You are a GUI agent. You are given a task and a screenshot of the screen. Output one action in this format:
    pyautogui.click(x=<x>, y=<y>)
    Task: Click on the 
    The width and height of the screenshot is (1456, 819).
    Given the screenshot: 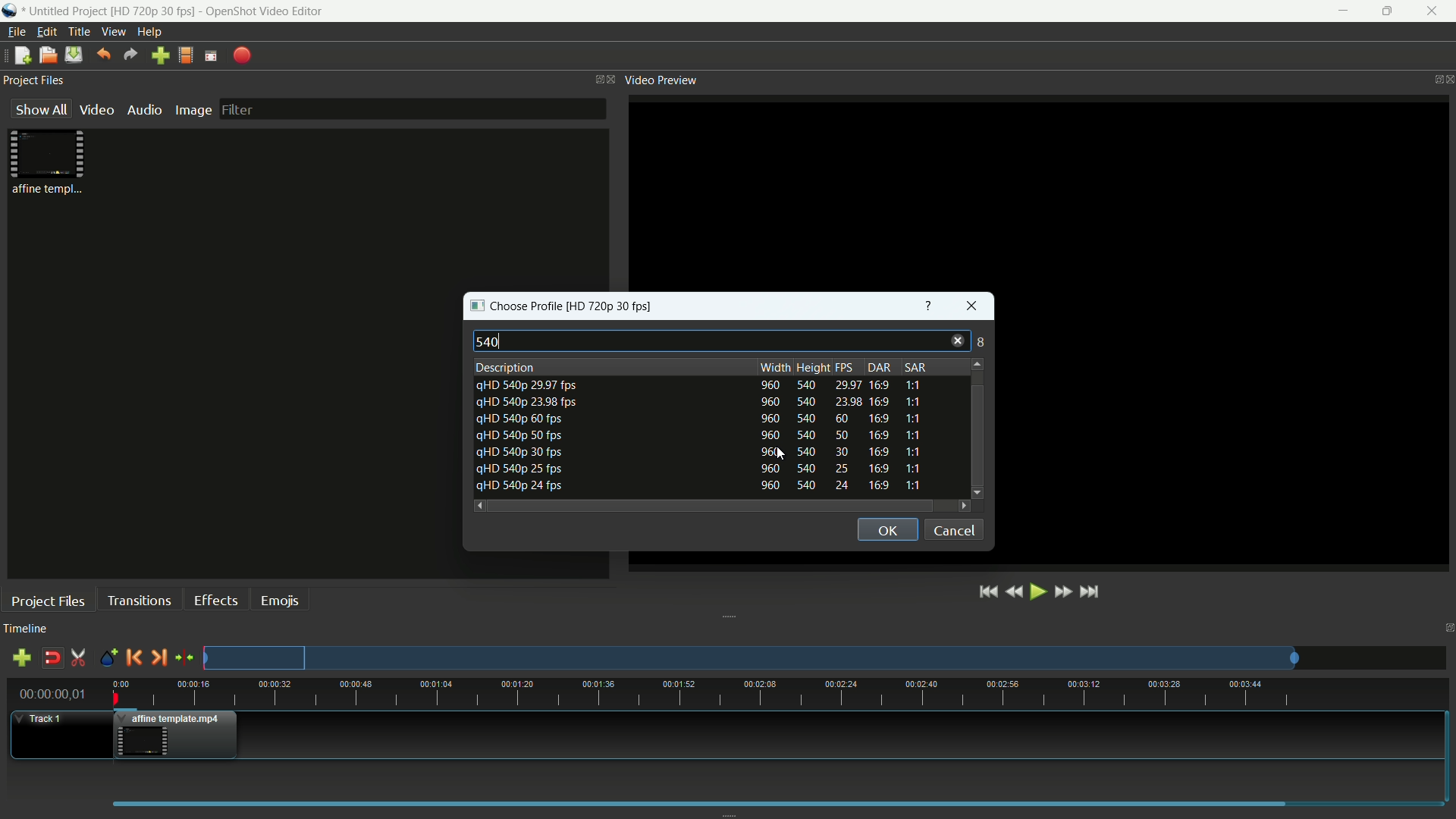 What is the action you would take?
    pyautogui.click(x=943, y=312)
    